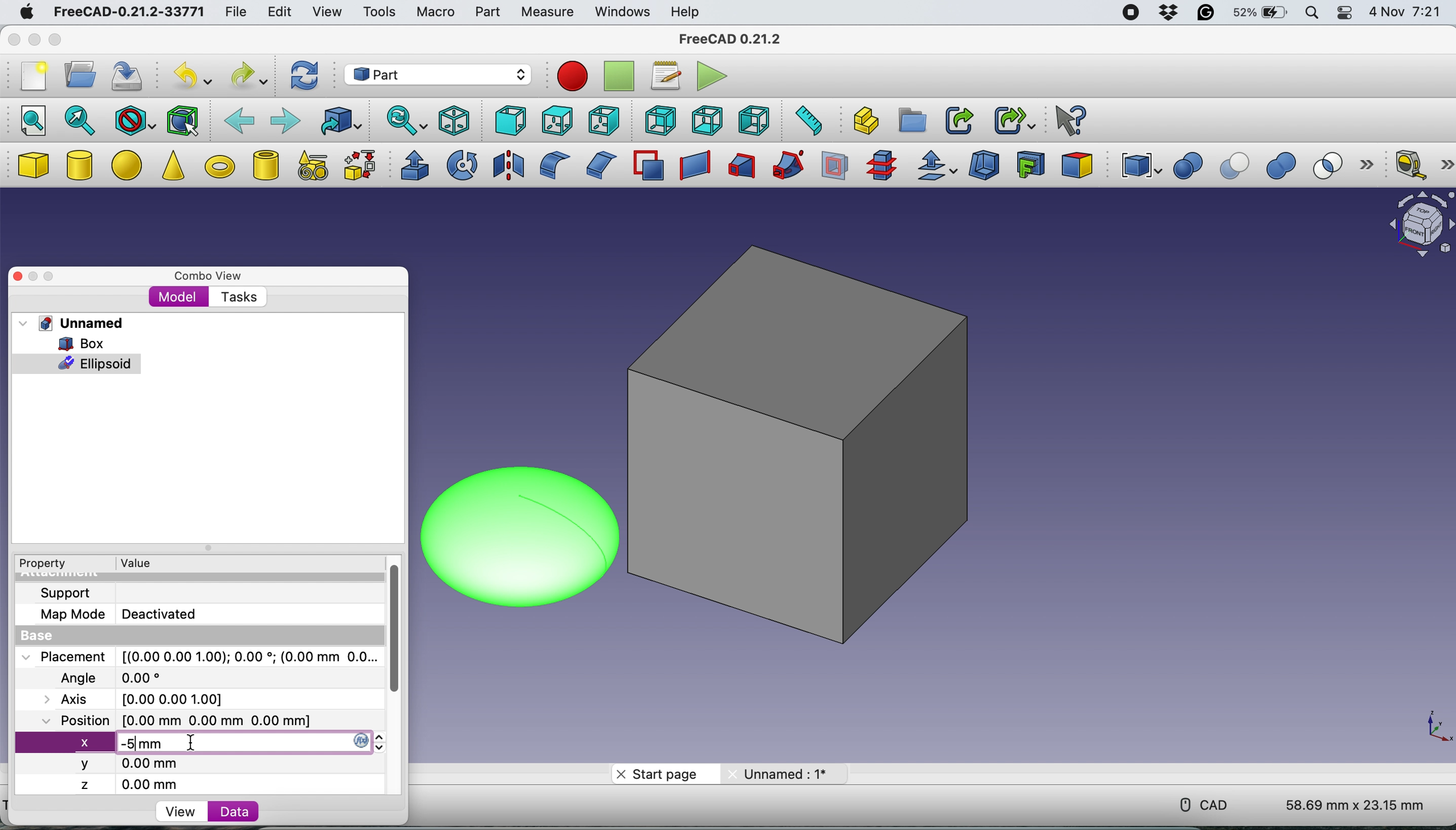 This screenshot has width=1456, height=830. I want to click on x -5 mm, so click(203, 744).